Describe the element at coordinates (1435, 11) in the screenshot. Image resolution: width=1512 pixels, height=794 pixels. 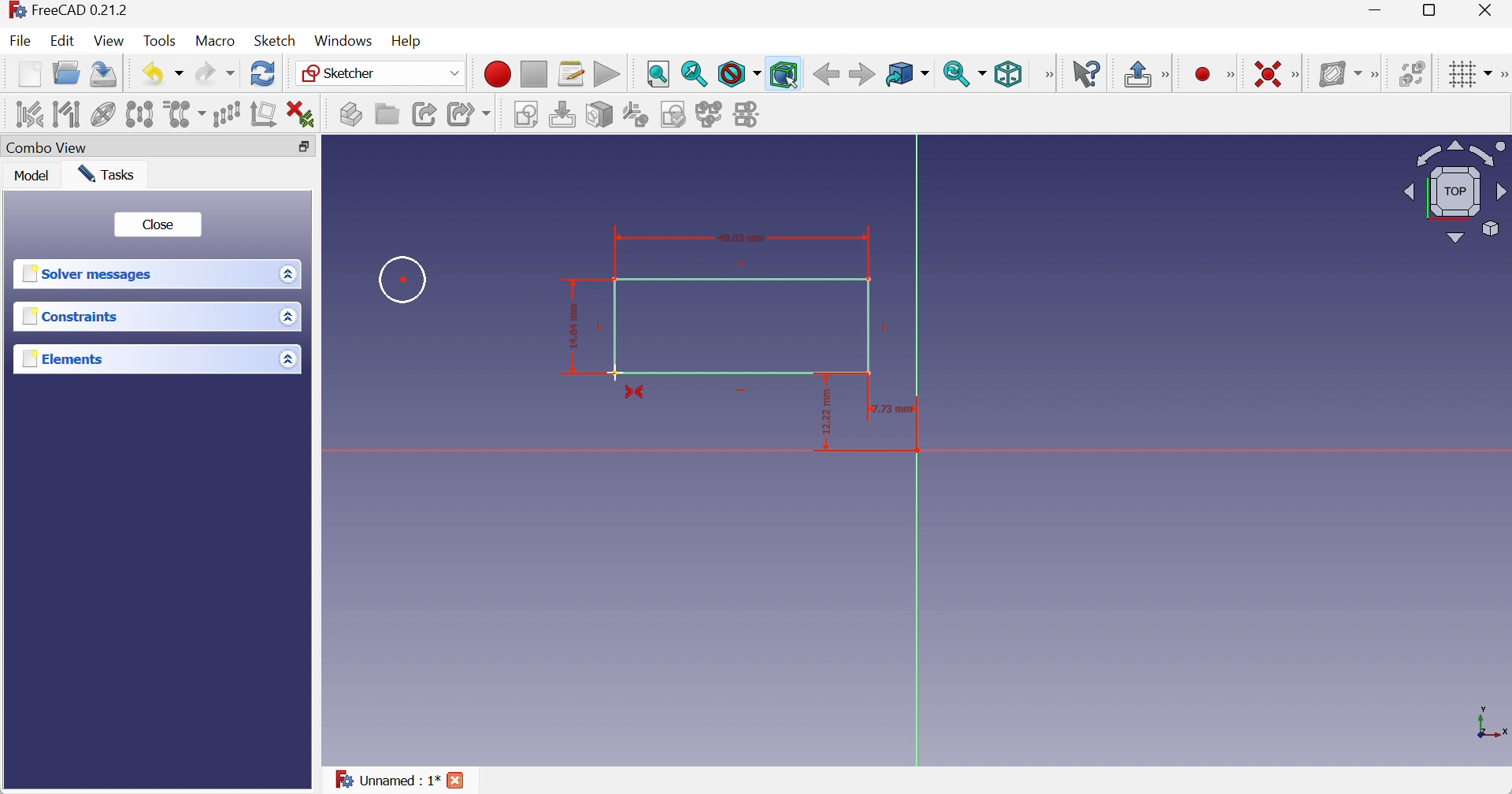
I see `Restore down` at that location.